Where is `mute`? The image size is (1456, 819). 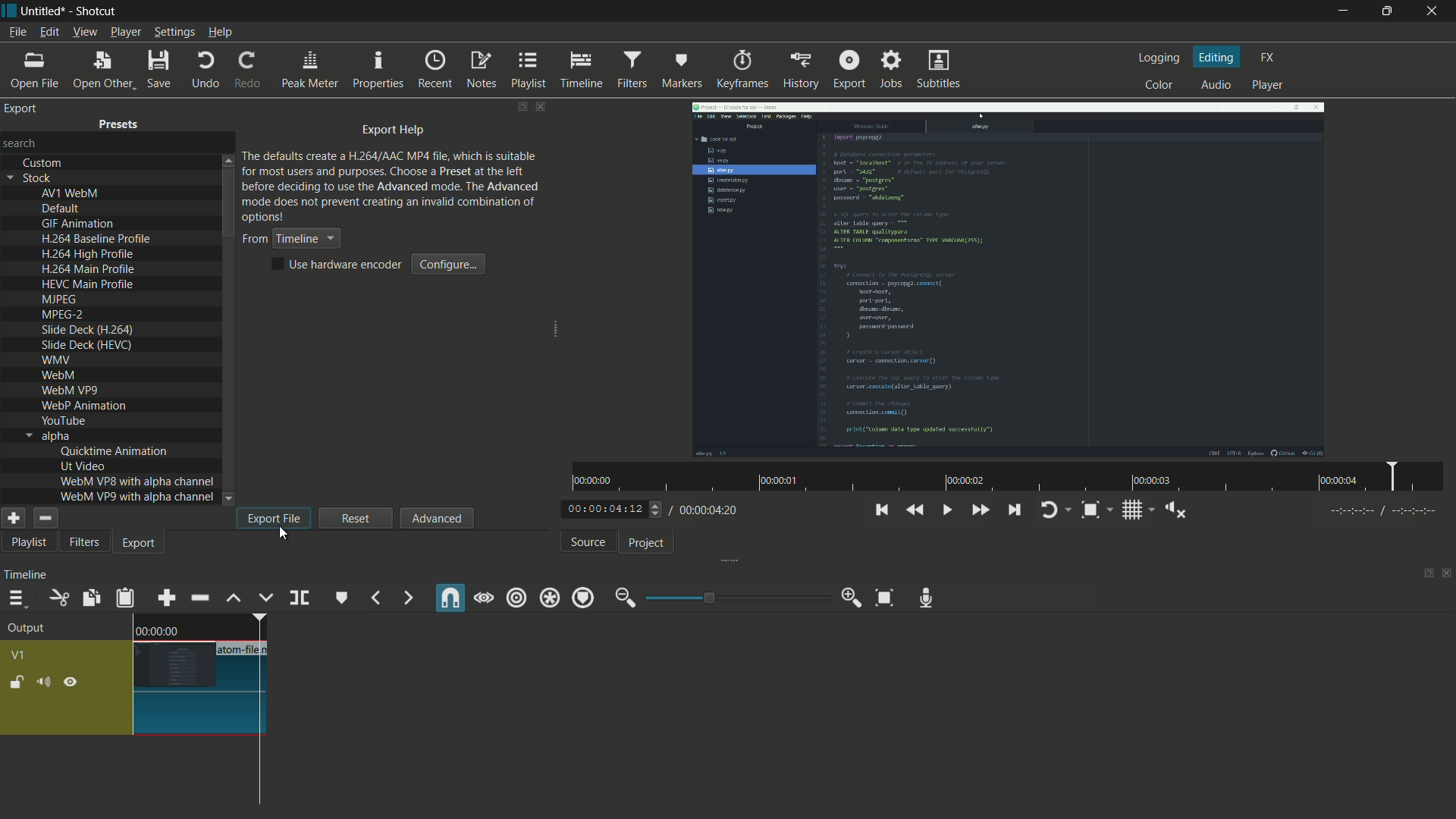
mute is located at coordinates (42, 683).